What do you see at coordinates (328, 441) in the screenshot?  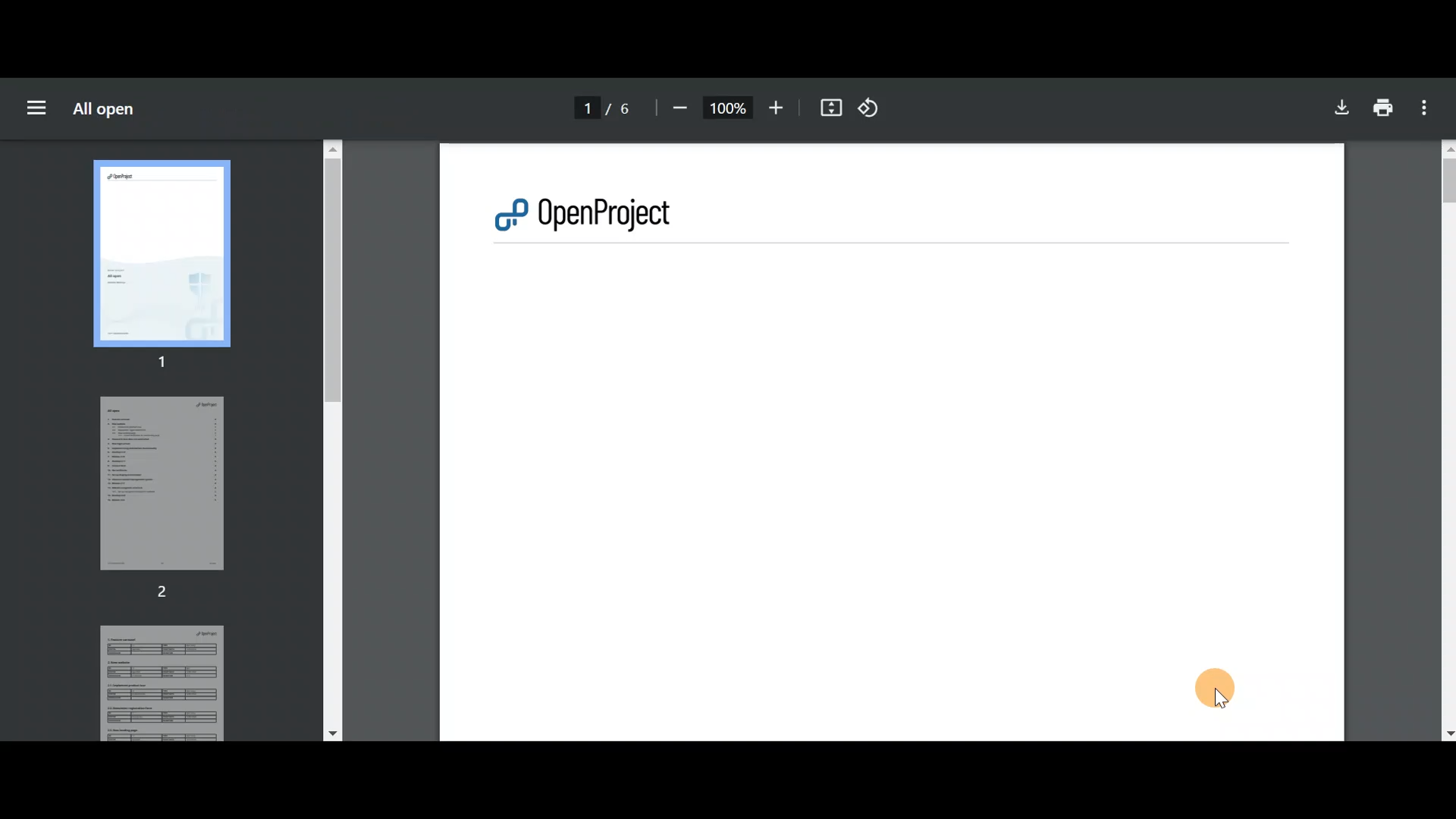 I see `Scroll bar` at bounding box center [328, 441].